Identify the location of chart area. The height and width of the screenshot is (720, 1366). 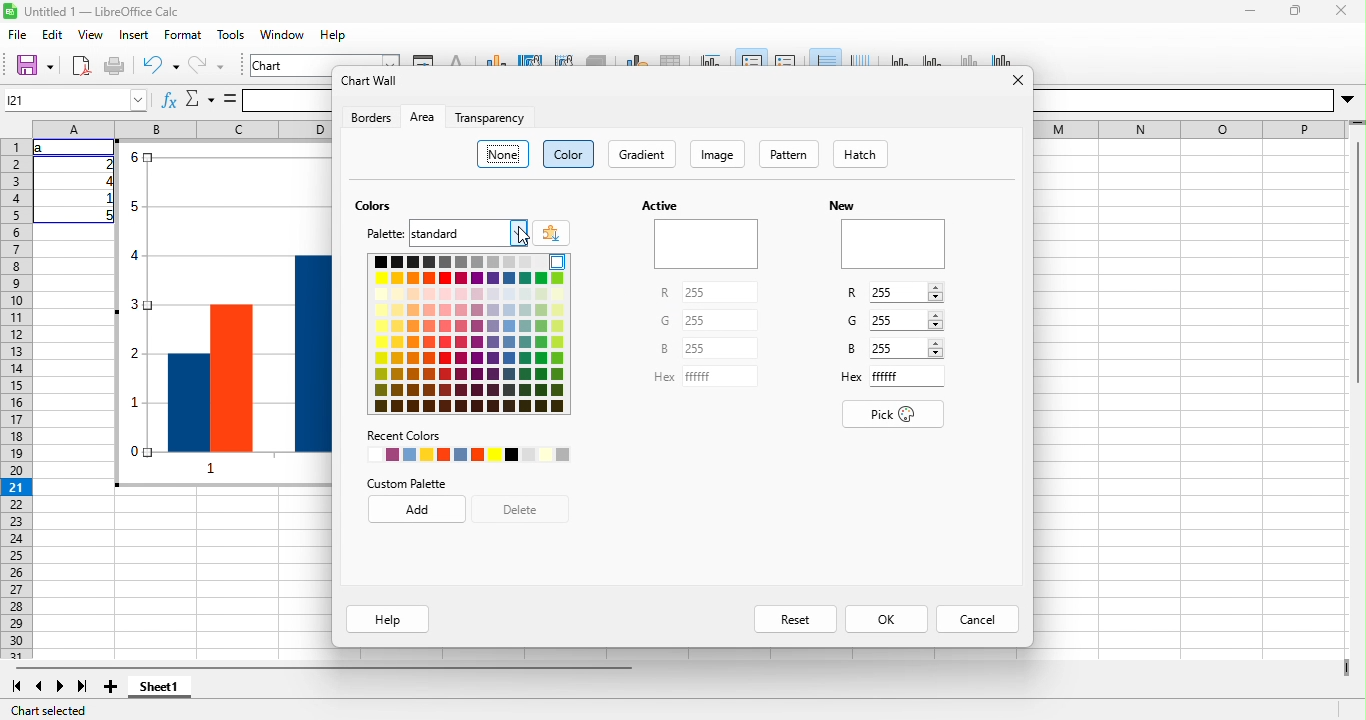
(531, 59).